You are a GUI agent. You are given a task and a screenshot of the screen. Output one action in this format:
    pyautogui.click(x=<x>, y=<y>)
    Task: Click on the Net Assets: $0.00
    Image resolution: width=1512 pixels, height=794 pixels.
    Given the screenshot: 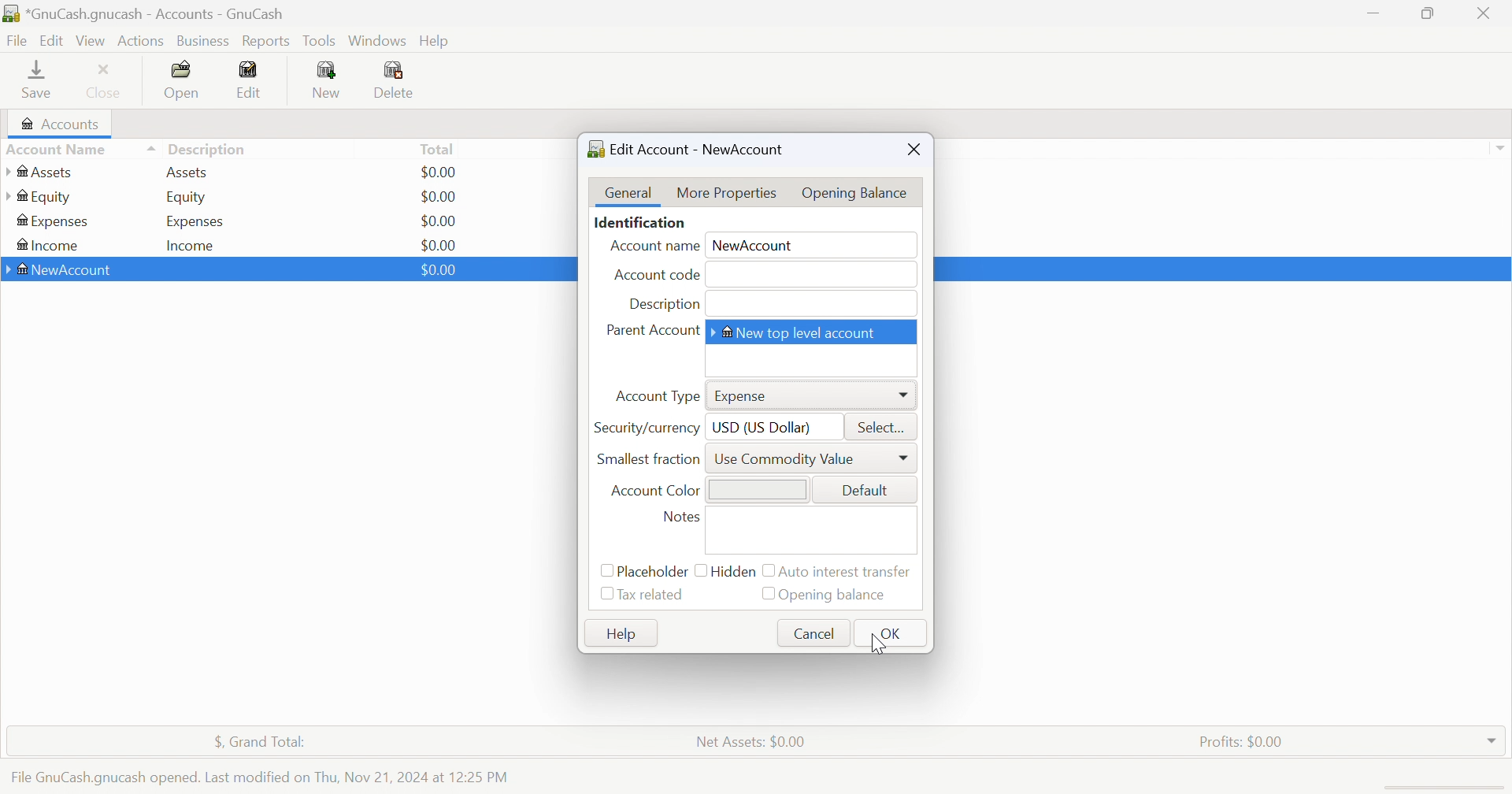 What is the action you would take?
    pyautogui.click(x=750, y=742)
    